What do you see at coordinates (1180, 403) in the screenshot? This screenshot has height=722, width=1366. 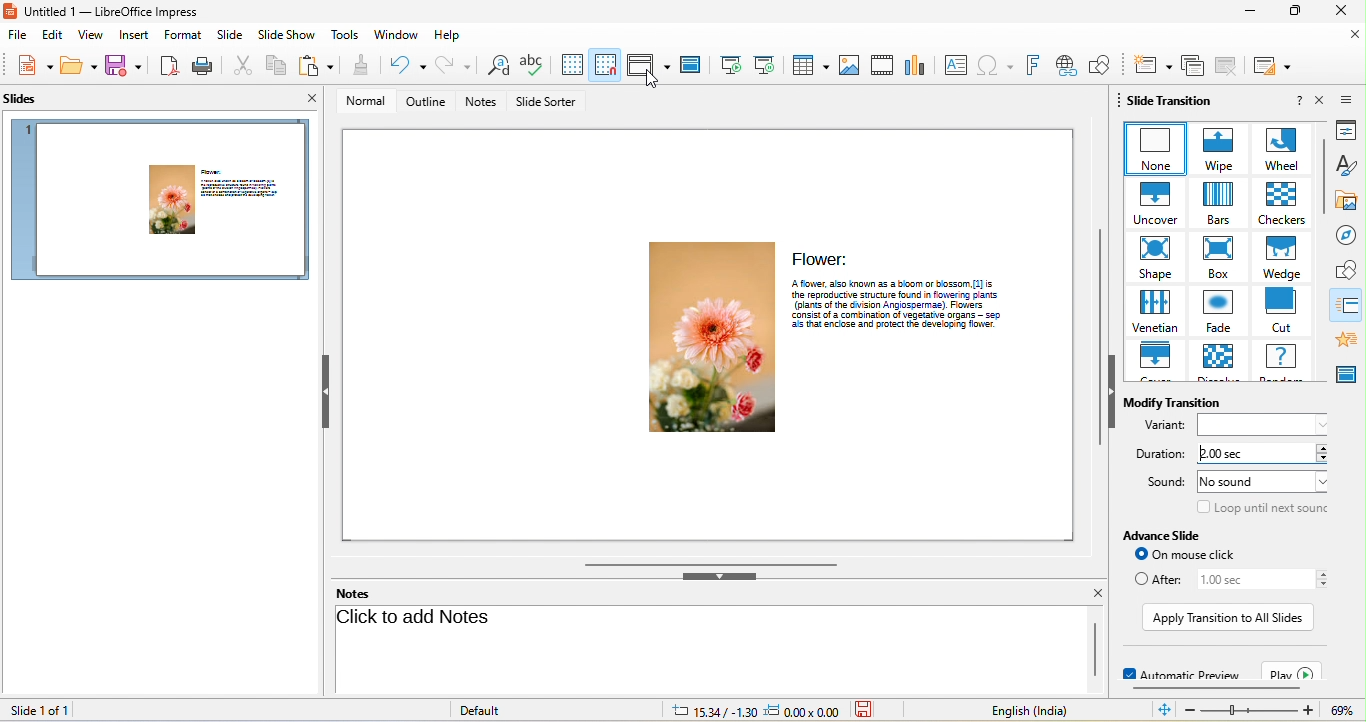 I see `modify transition` at bounding box center [1180, 403].